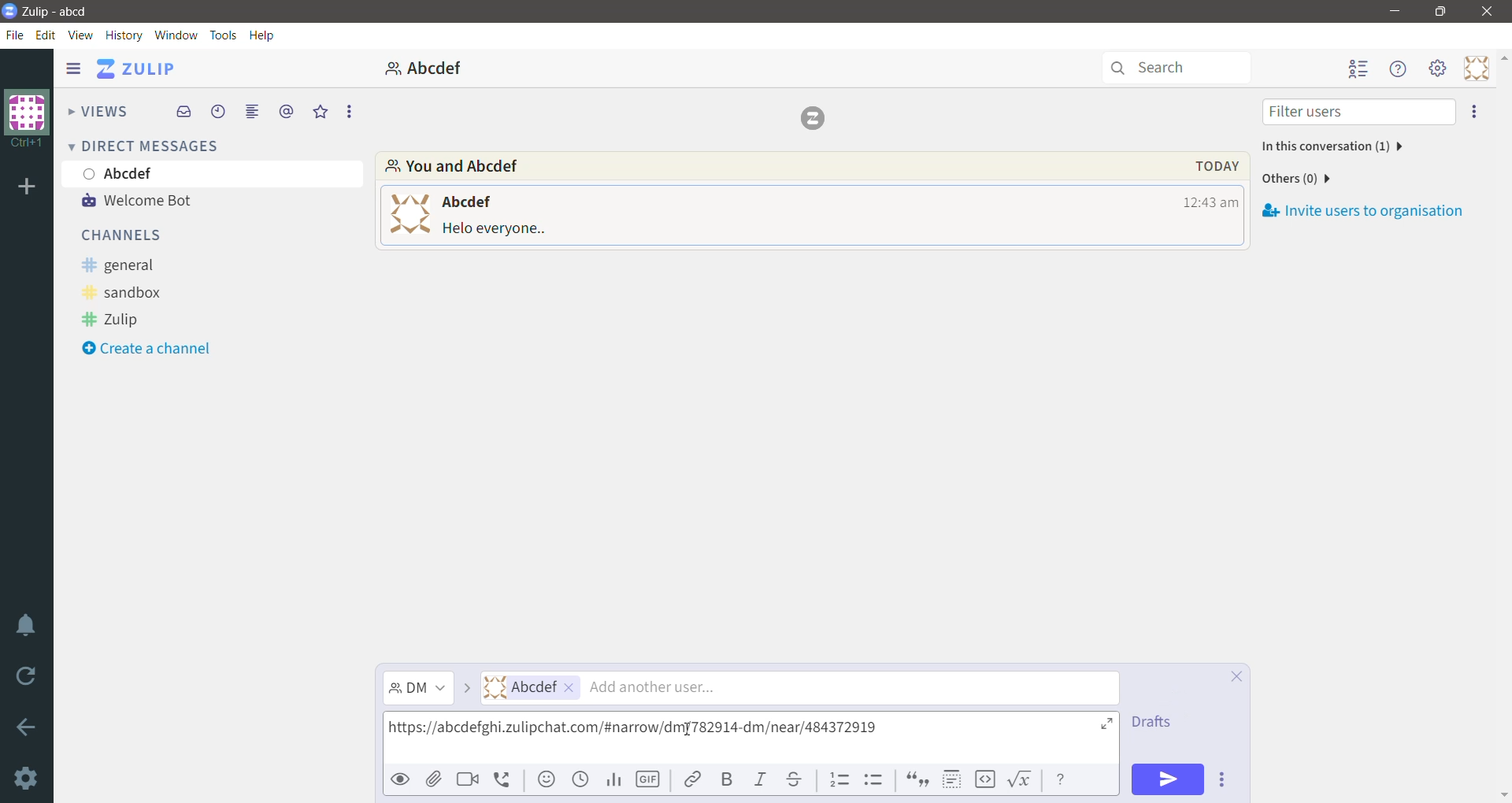  What do you see at coordinates (73, 68) in the screenshot?
I see `Show/Hide left sidebar` at bounding box center [73, 68].